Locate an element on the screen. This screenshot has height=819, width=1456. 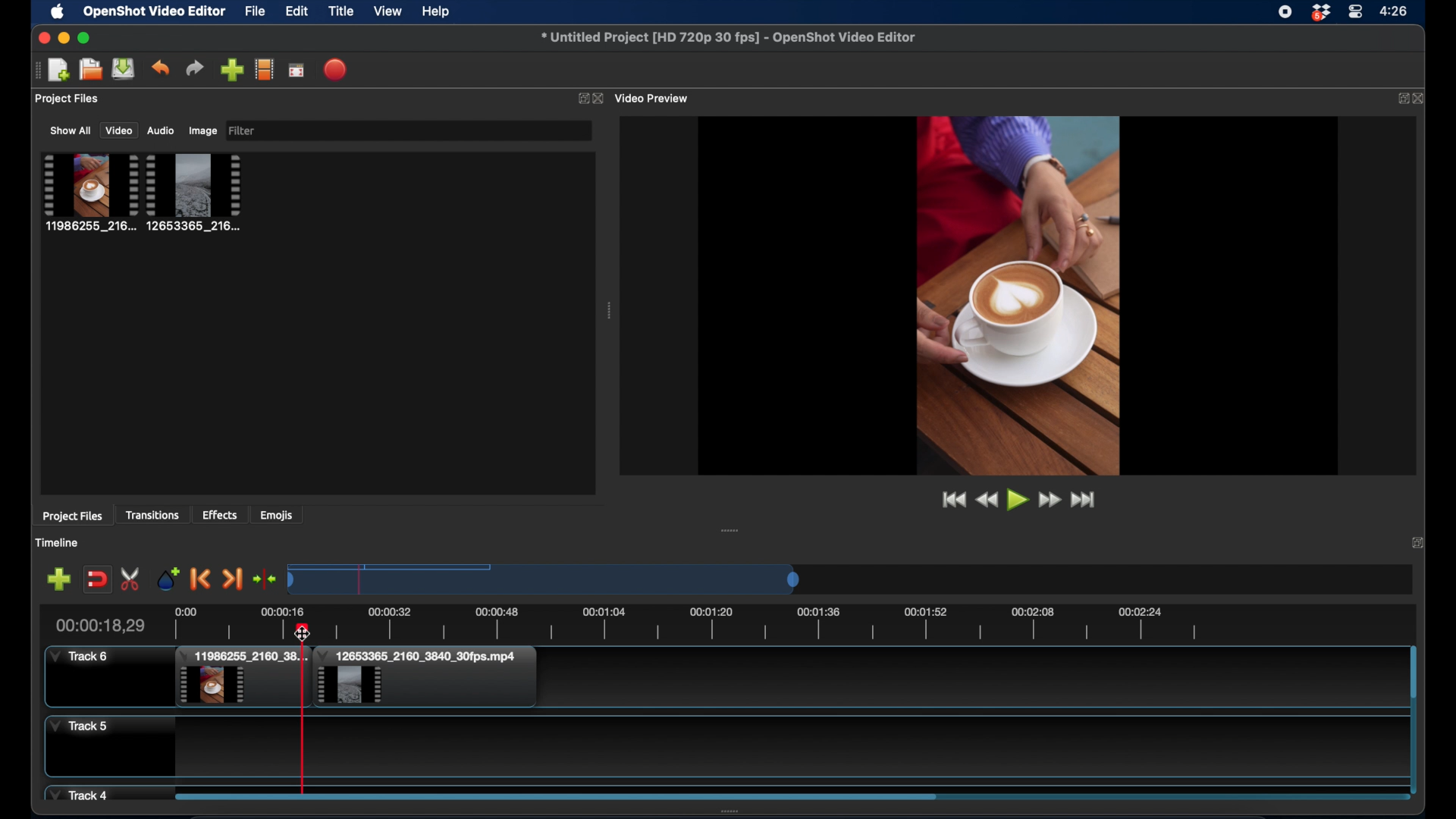
minimize is located at coordinates (63, 38).